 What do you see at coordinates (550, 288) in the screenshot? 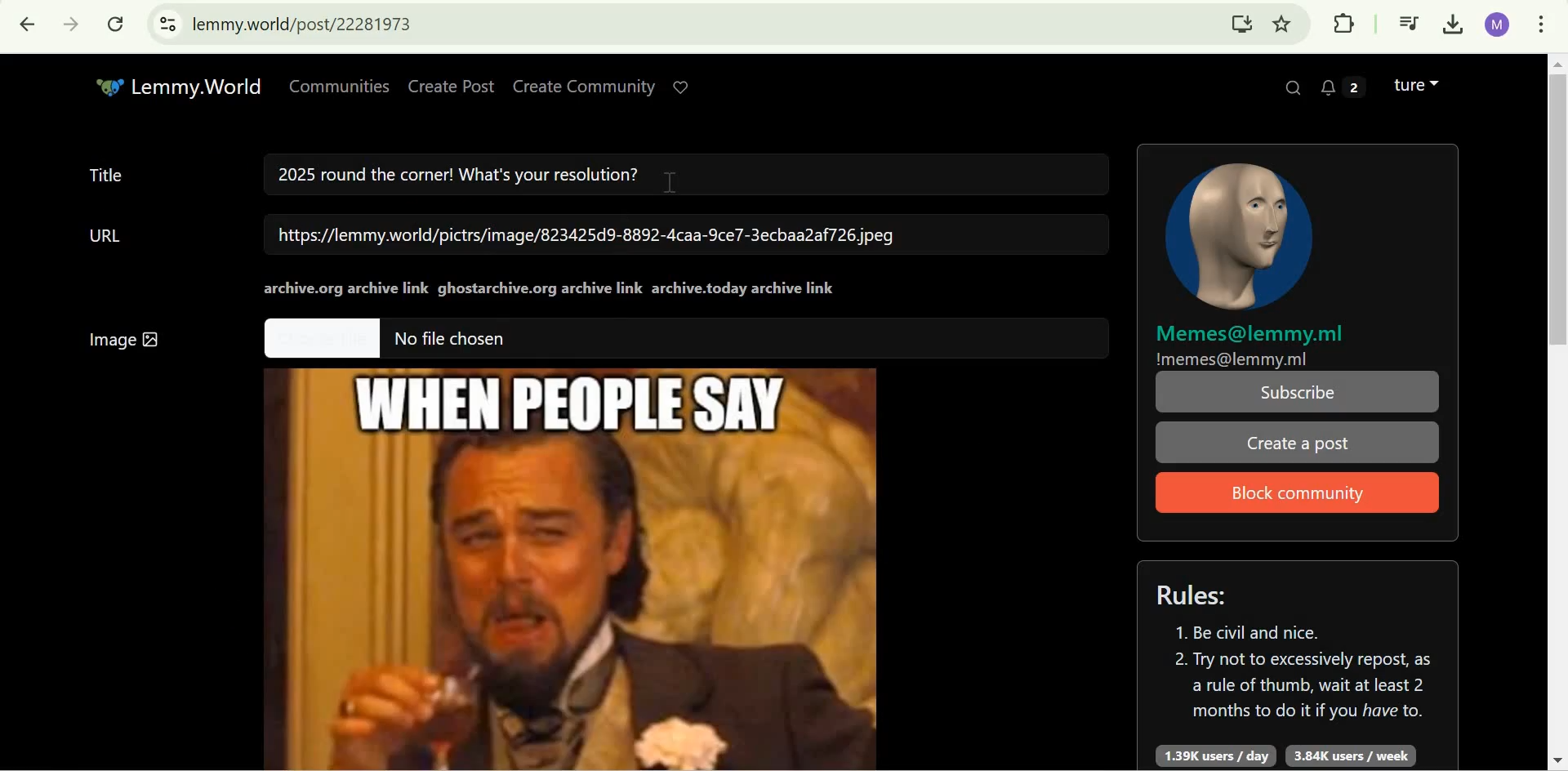
I see `archive.org archive linkghostarchive.org archive linkarchive.today archive link` at bounding box center [550, 288].